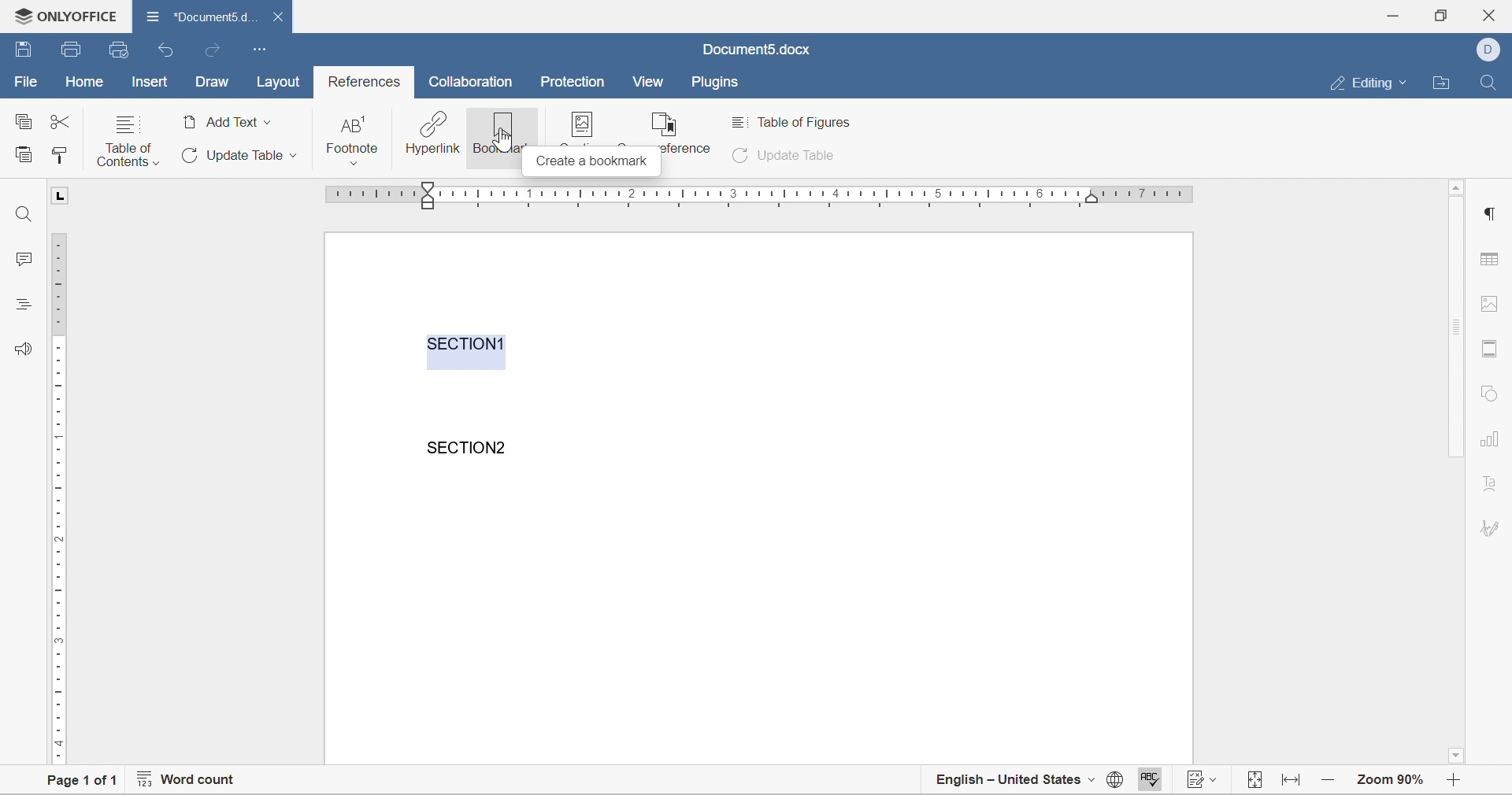 The width and height of the screenshot is (1512, 795). Describe the element at coordinates (200, 15) in the screenshot. I see `document name` at that location.